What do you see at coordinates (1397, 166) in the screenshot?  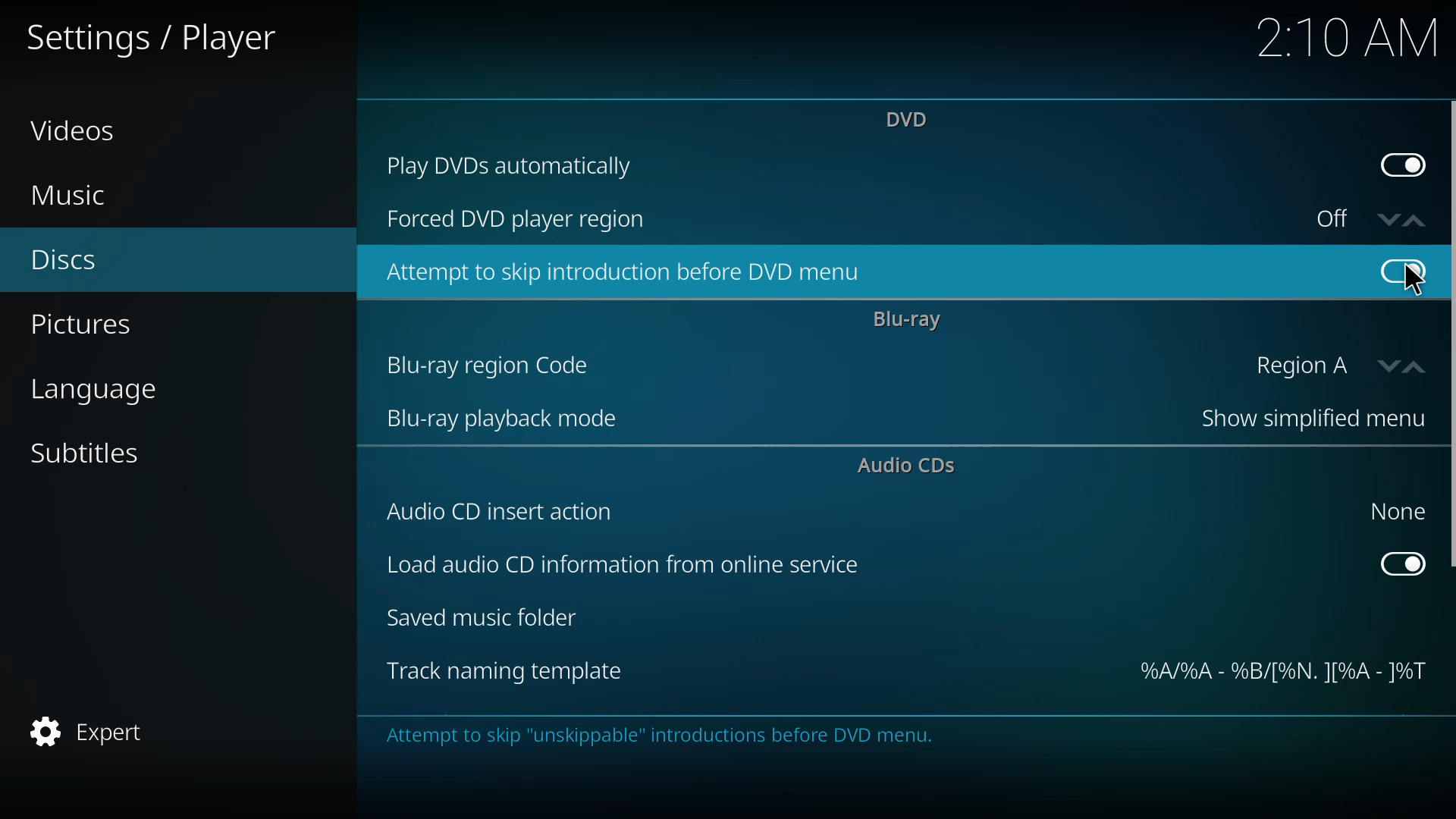 I see `enabled` at bounding box center [1397, 166].